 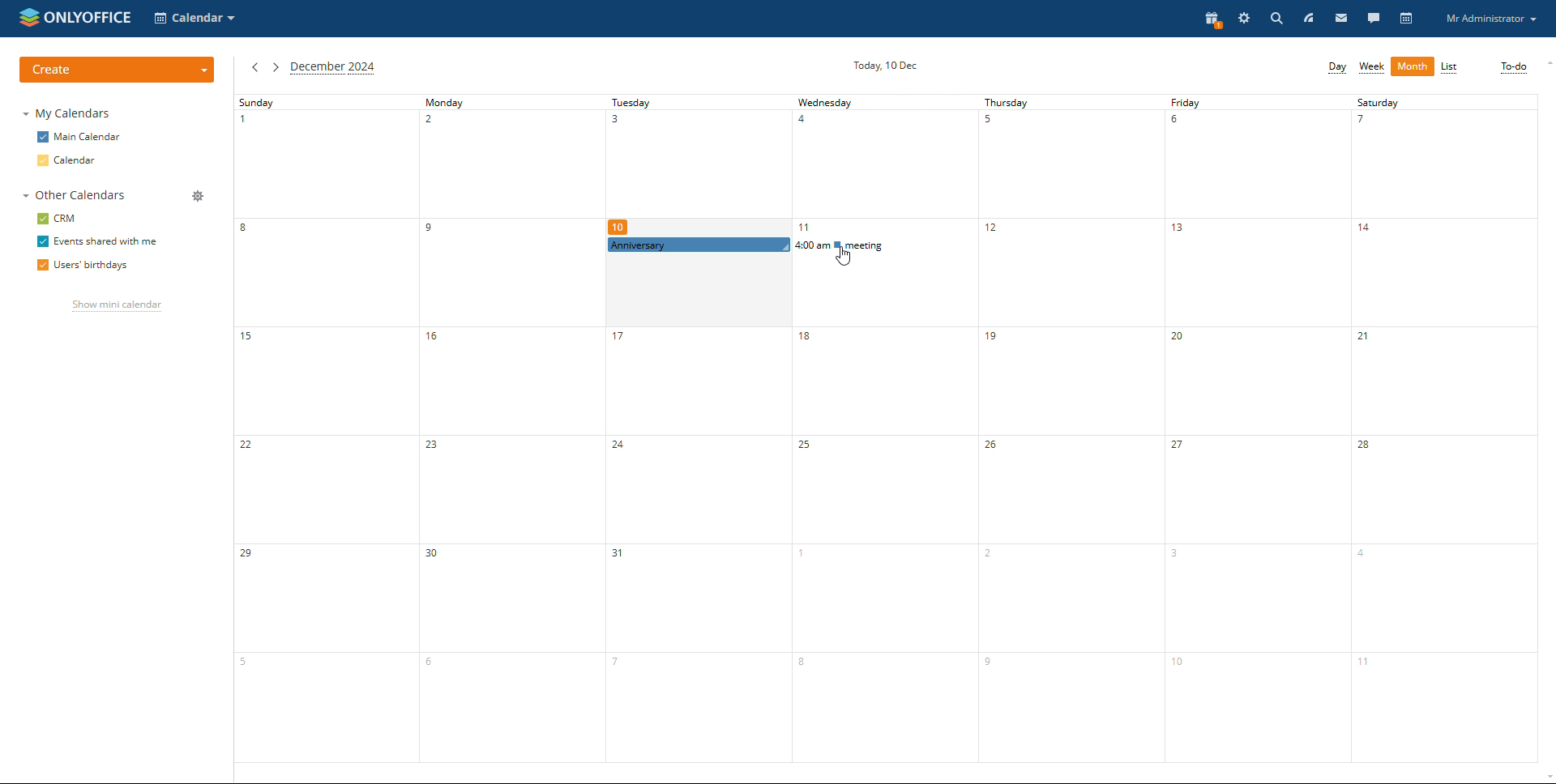 I want to click on current date, so click(x=885, y=66).